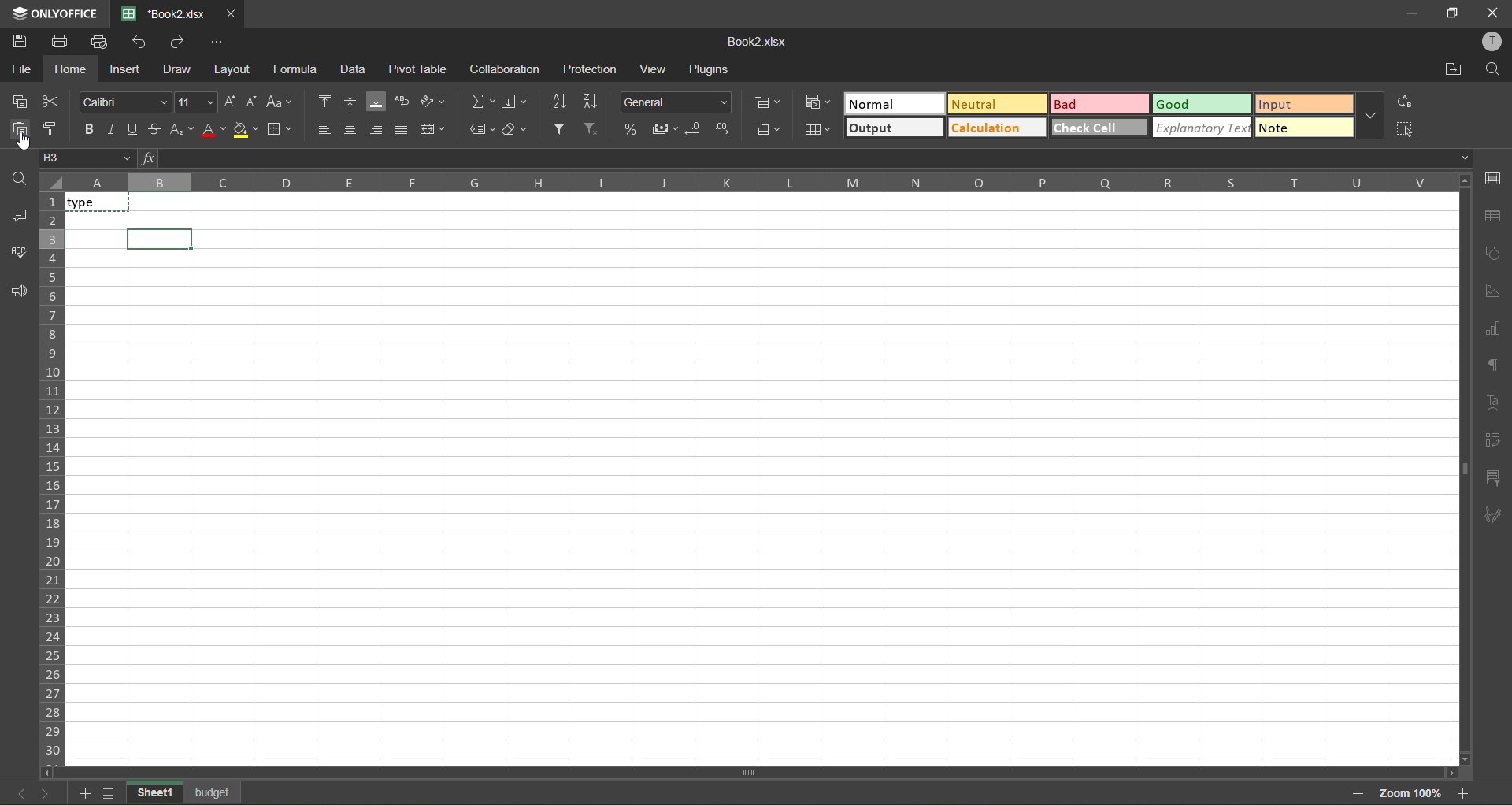  Describe the element at coordinates (723, 128) in the screenshot. I see `increase decimal` at that location.